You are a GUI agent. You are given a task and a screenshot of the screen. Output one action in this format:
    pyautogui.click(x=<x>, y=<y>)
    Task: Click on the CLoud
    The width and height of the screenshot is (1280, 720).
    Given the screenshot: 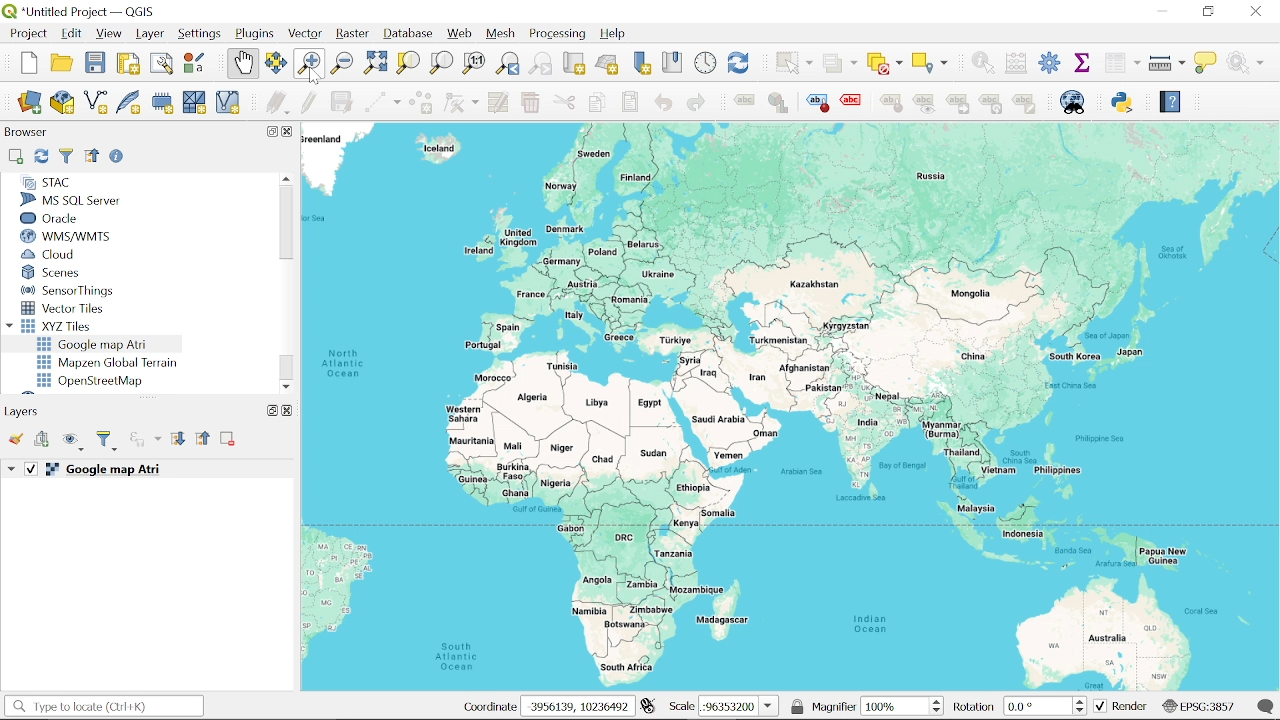 What is the action you would take?
    pyautogui.click(x=50, y=254)
    